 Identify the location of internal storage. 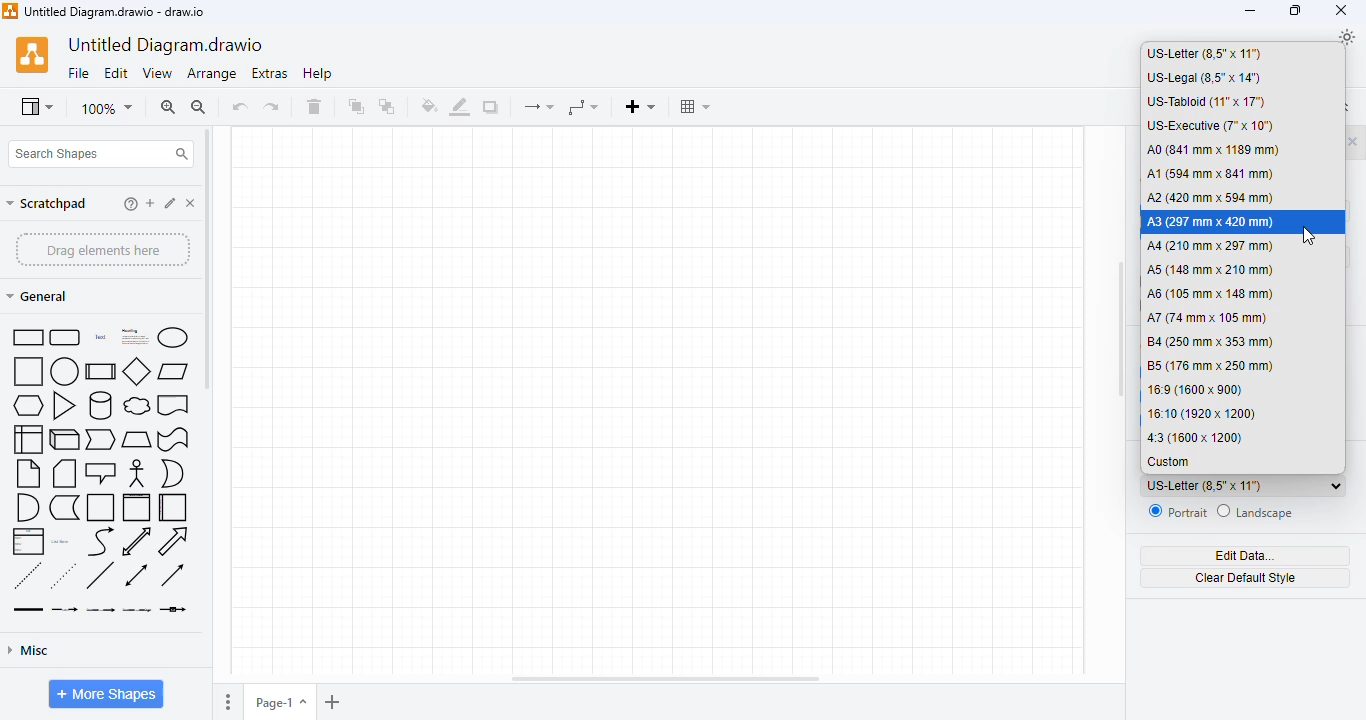
(28, 439).